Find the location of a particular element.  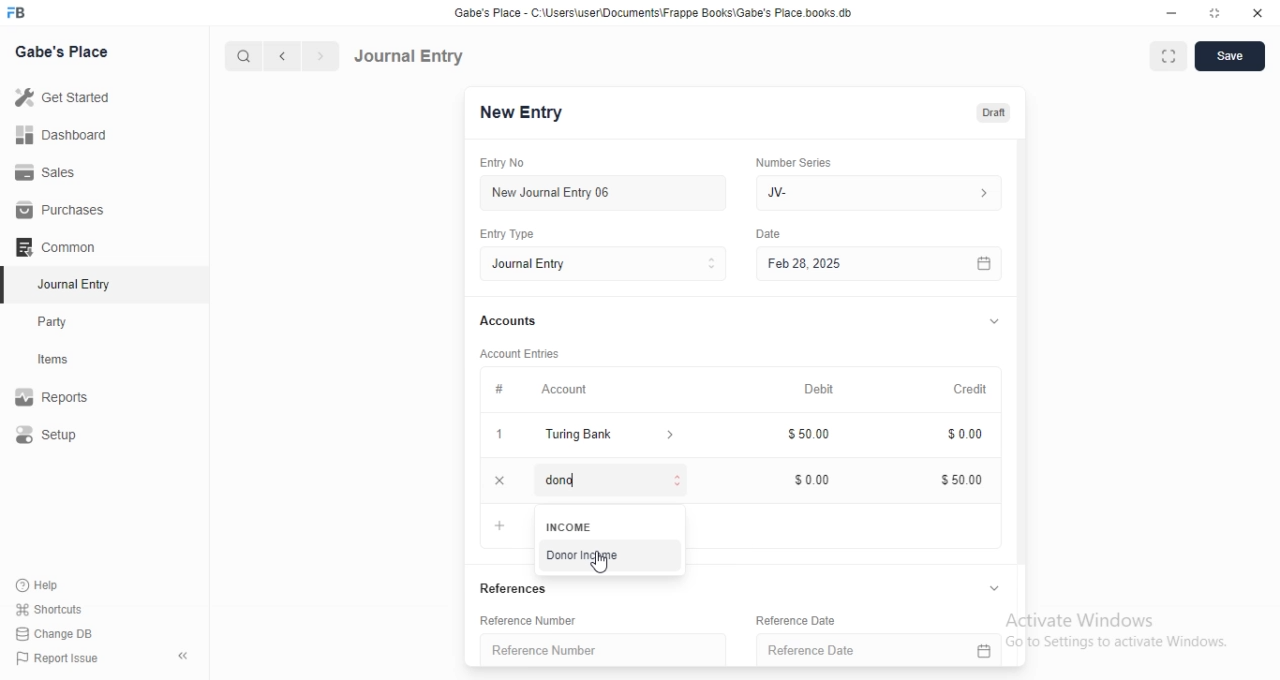

restore down is located at coordinates (1216, 15).